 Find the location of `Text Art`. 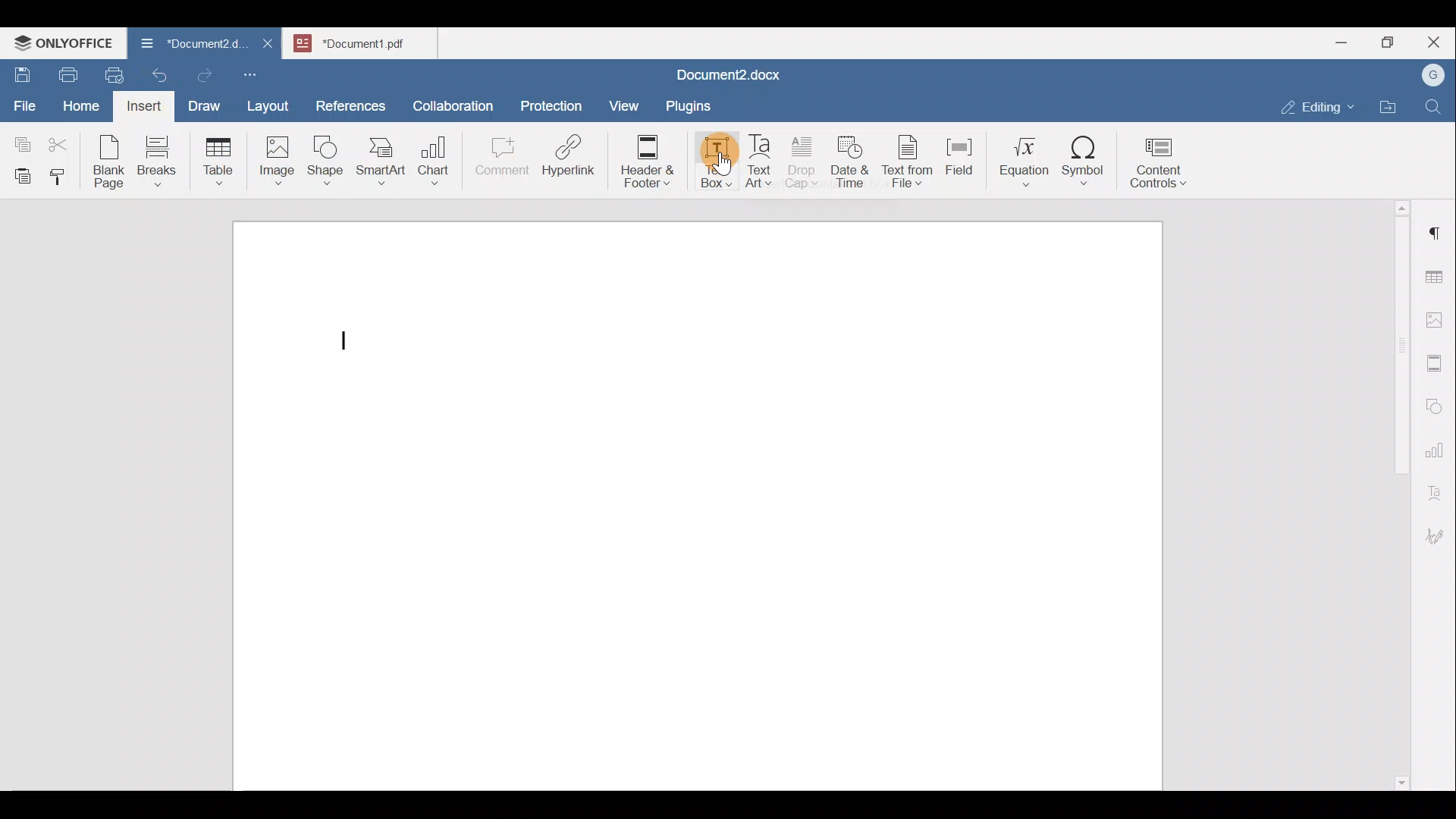

Text Art is located at coordinates (760, 162).